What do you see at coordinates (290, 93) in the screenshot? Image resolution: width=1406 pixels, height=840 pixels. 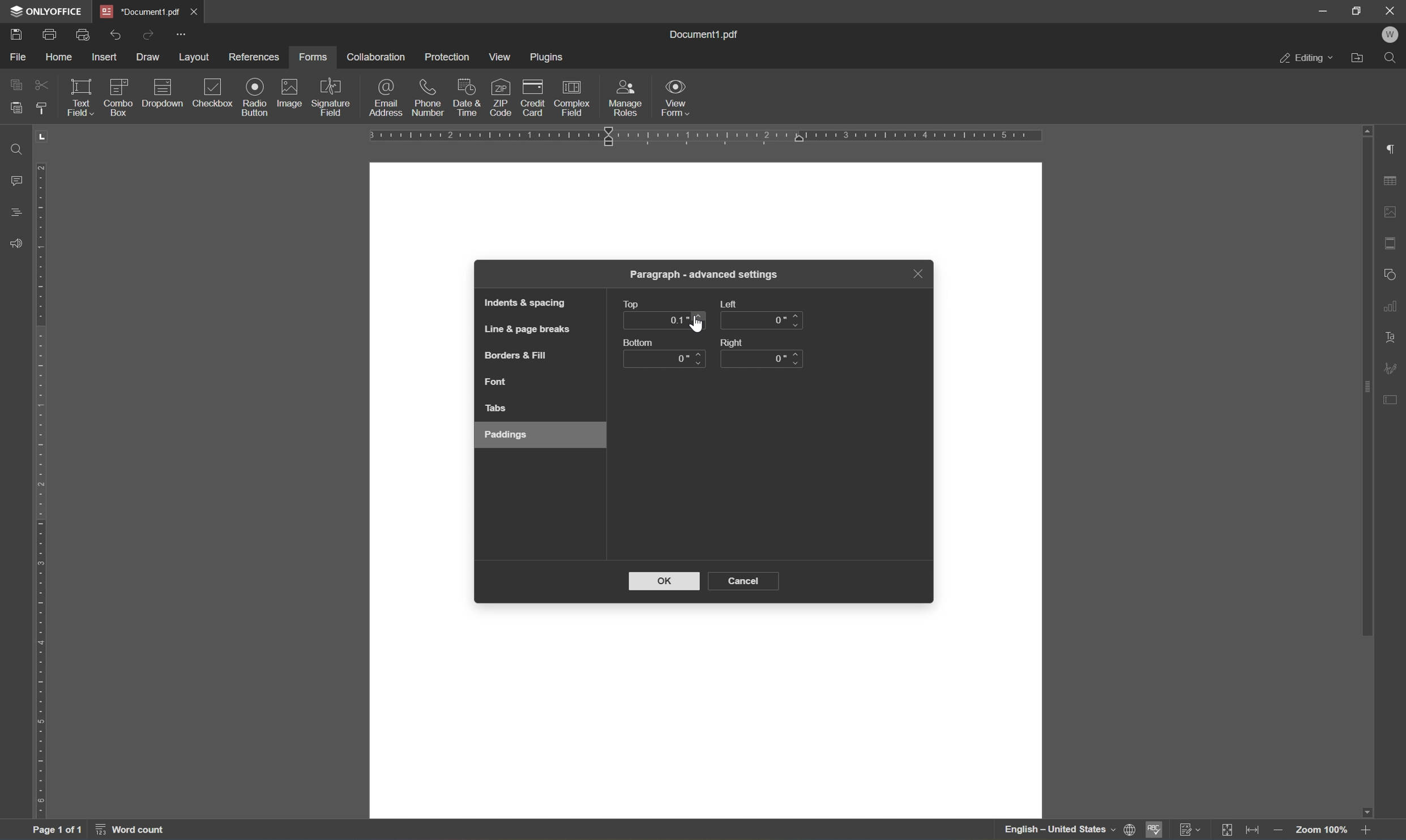 I see `image` at bounding box center [290, 93].